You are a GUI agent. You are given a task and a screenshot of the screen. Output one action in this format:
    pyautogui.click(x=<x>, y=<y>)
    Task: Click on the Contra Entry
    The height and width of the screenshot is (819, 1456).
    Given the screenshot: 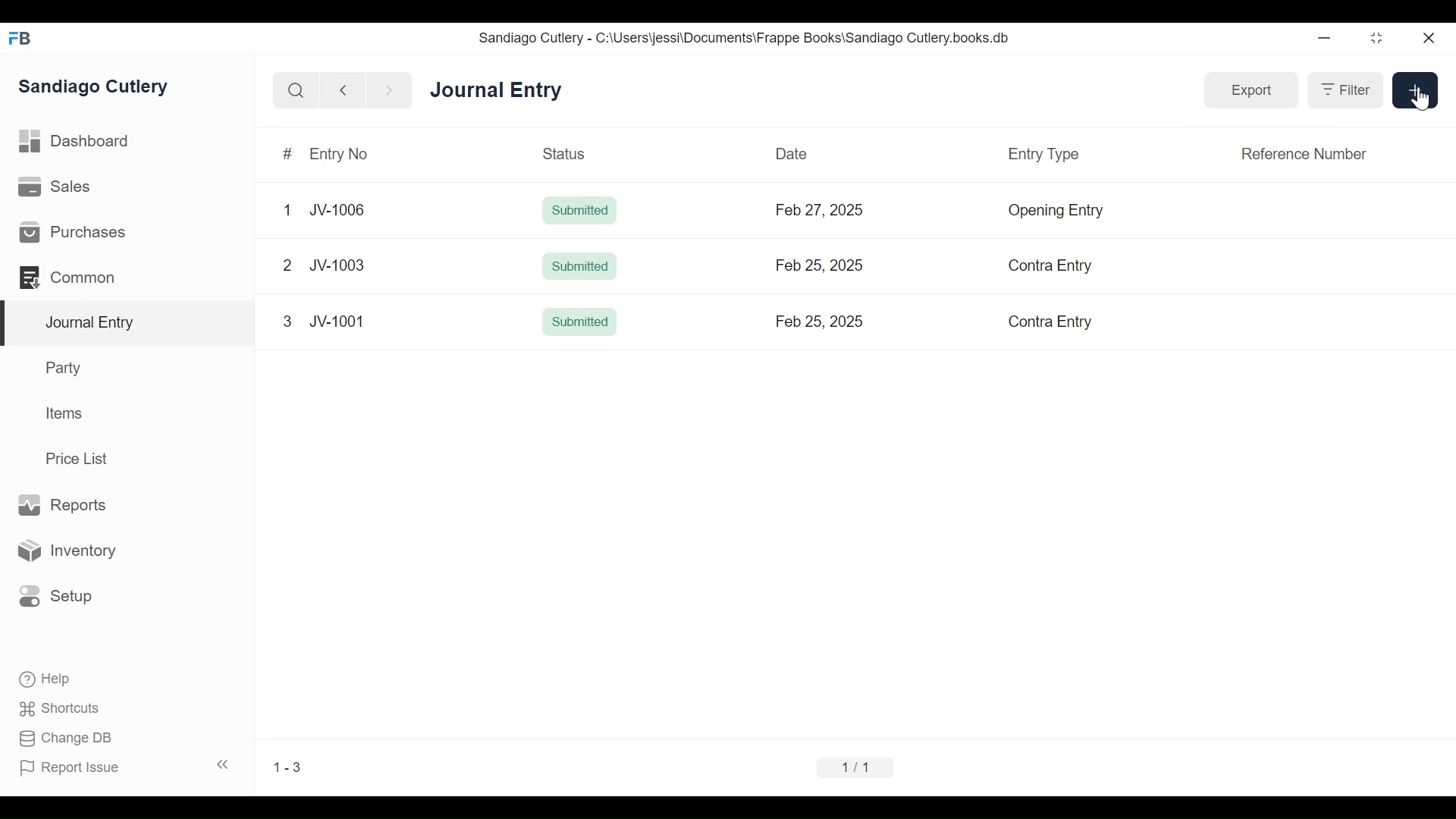 What is the action you would take?
    pyautogui.click(x=1049, y=322)
    